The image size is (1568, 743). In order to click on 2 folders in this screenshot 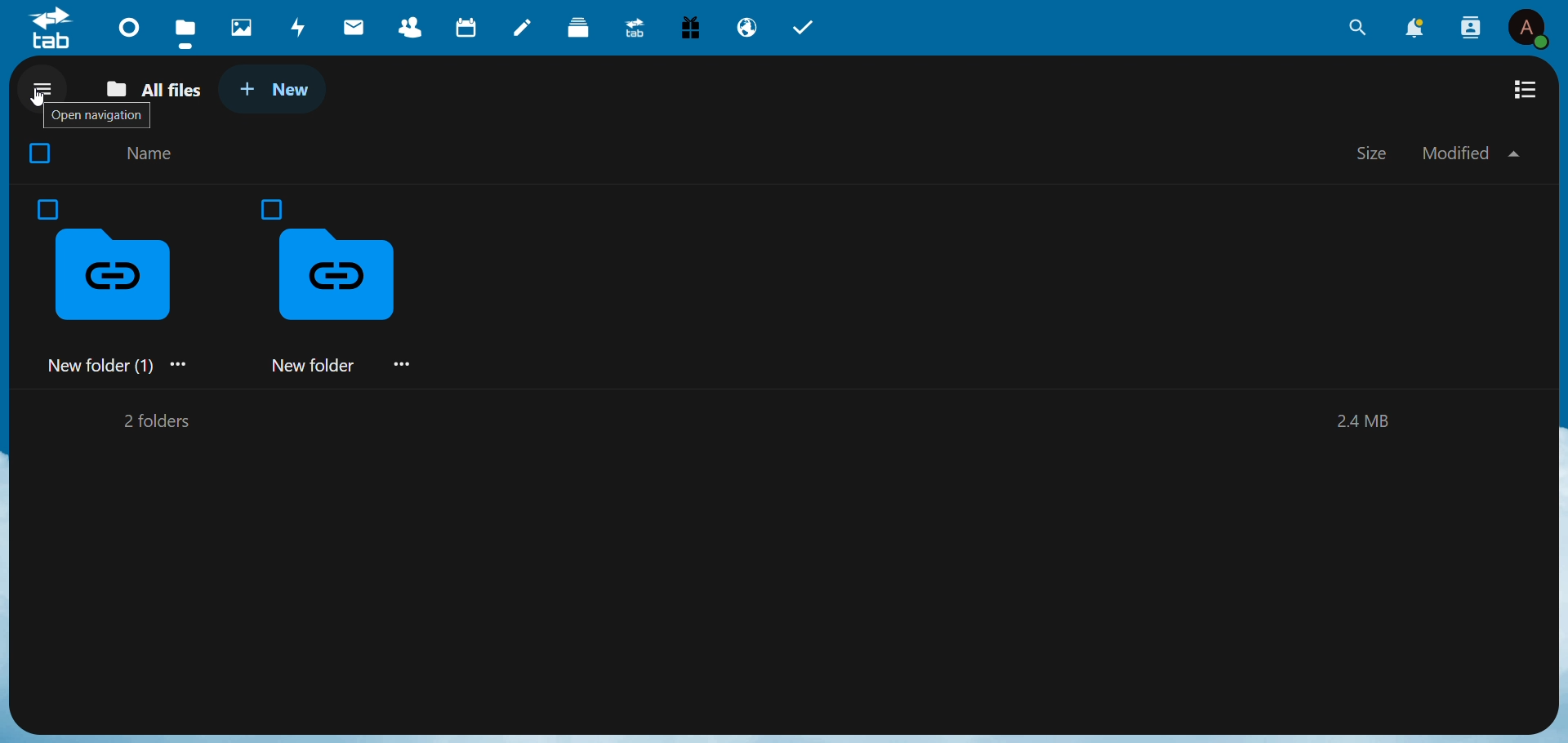, I will do `click(154, 421)`.